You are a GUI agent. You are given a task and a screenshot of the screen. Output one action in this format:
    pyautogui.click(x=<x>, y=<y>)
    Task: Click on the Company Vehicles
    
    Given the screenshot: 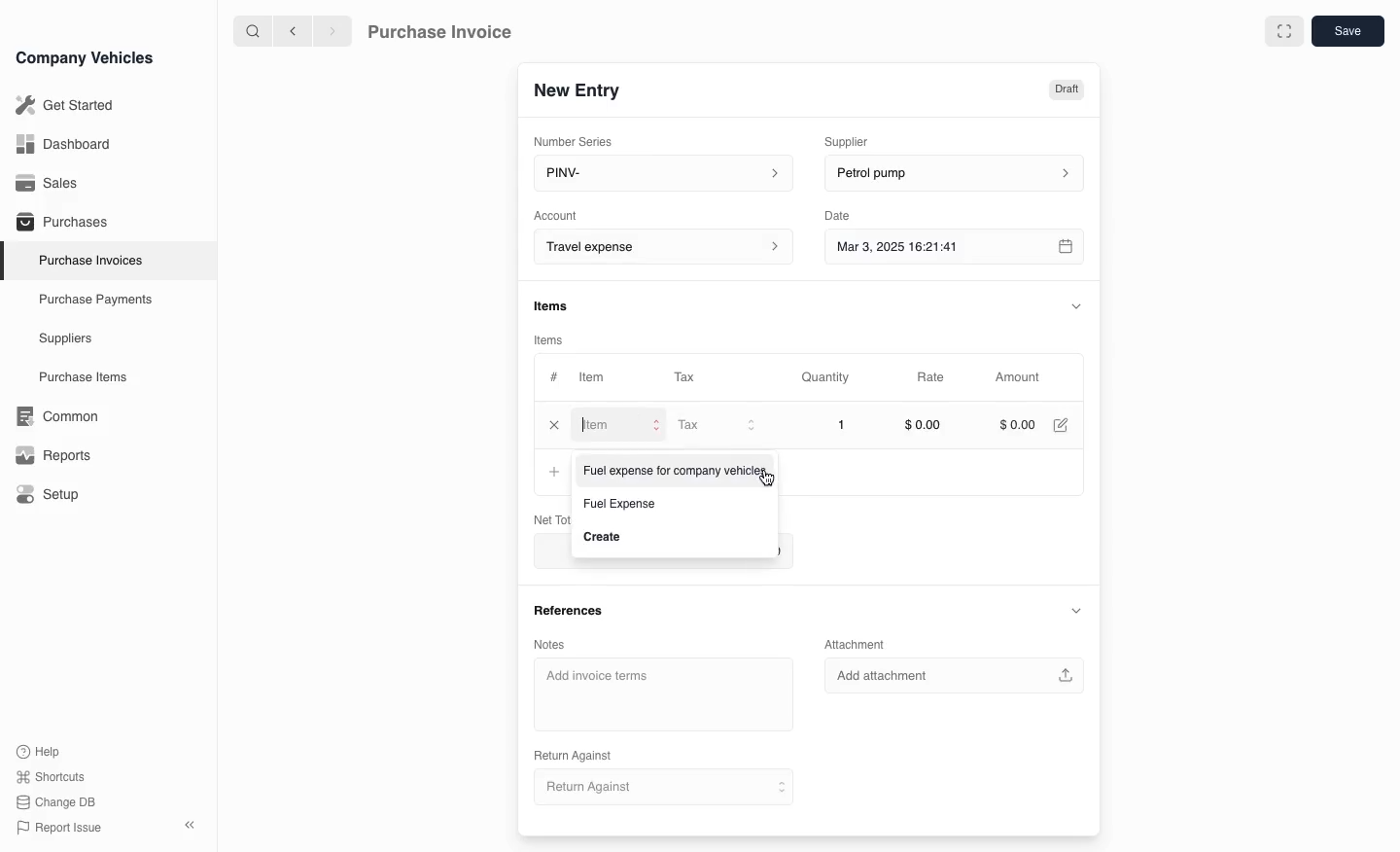 What is the action you would take?
    pyautogui.click(x=85, y=57)
    